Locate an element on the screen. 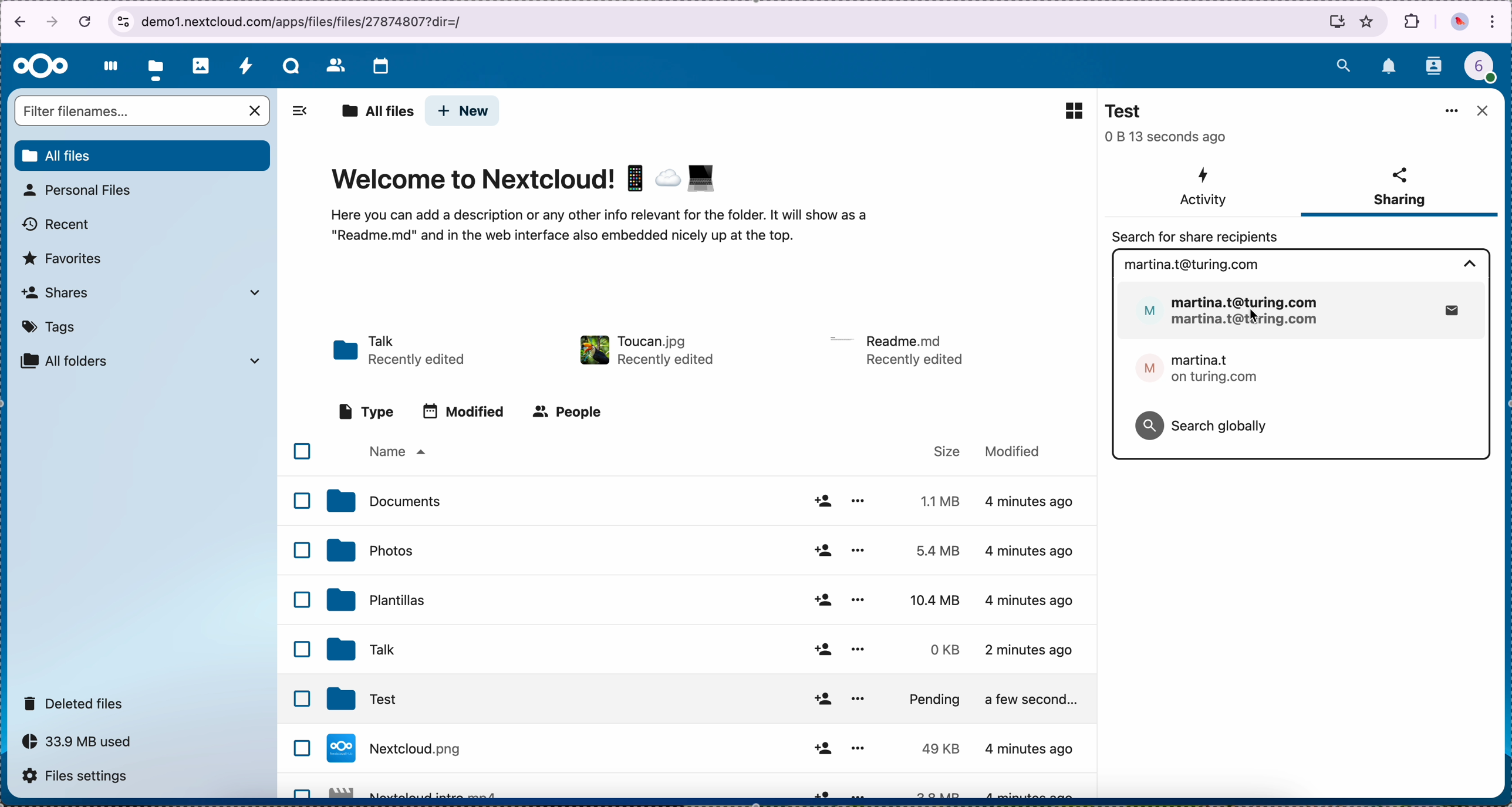 This screenshot has height=807, width=1512. toucan file is located at coordinates (645, 347).